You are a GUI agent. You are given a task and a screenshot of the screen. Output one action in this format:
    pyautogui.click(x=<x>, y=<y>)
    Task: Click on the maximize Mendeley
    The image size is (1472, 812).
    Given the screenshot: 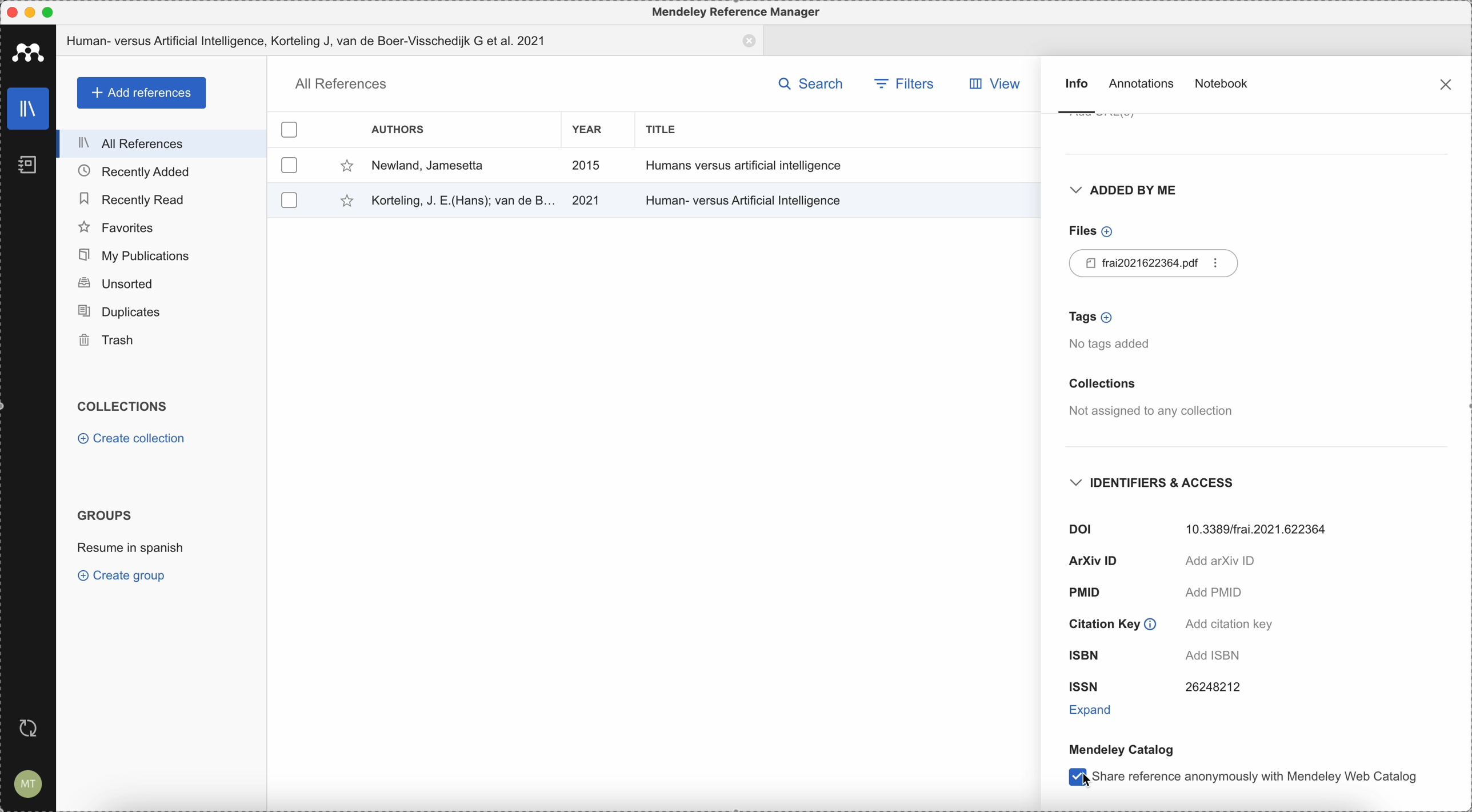 What is the action you would take?
    pyautogui.click(x=59, y=12)
    